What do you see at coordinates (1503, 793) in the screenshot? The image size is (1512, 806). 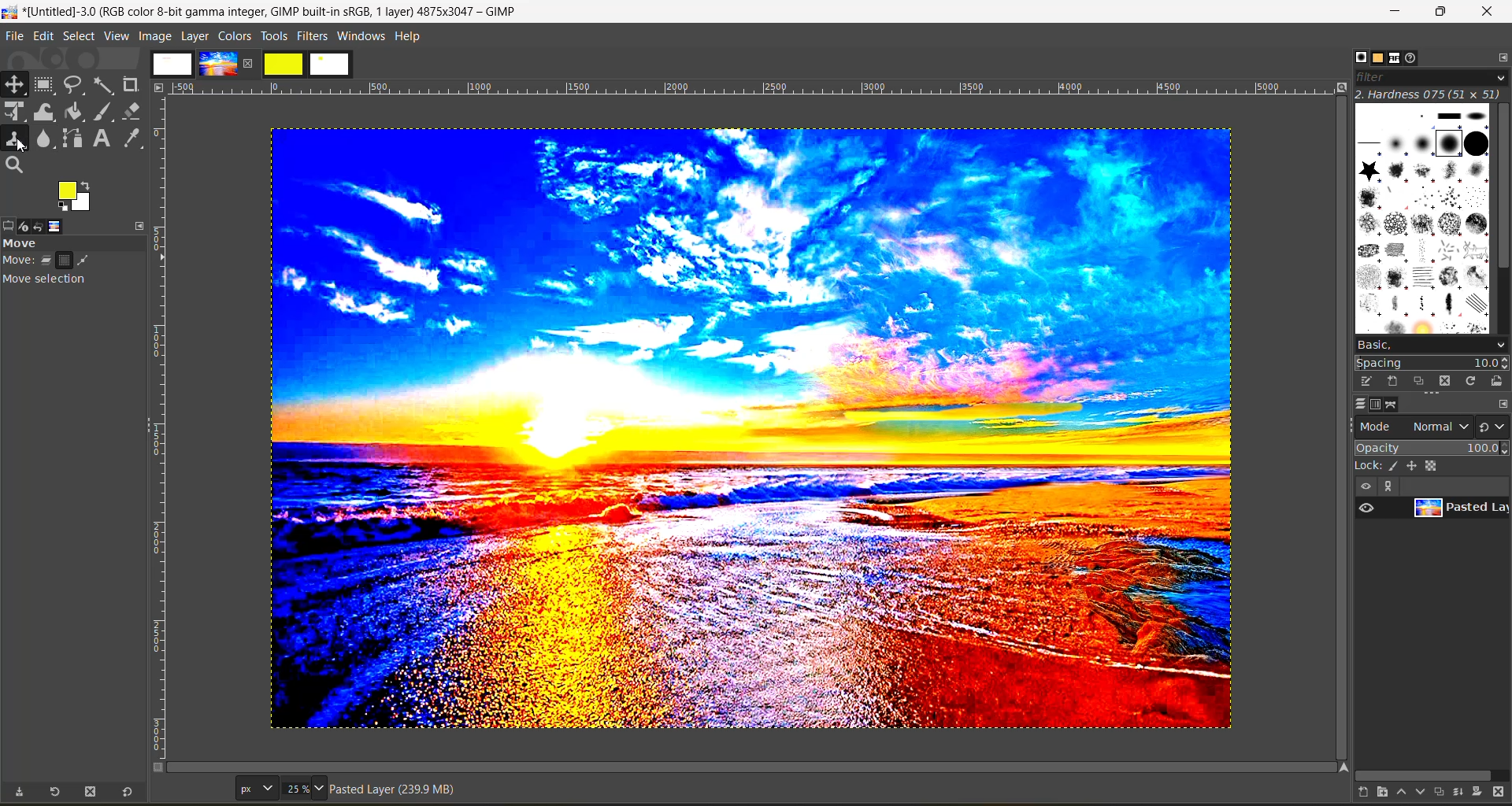 I see `delete this layer` at bounding box center [1503, 793].